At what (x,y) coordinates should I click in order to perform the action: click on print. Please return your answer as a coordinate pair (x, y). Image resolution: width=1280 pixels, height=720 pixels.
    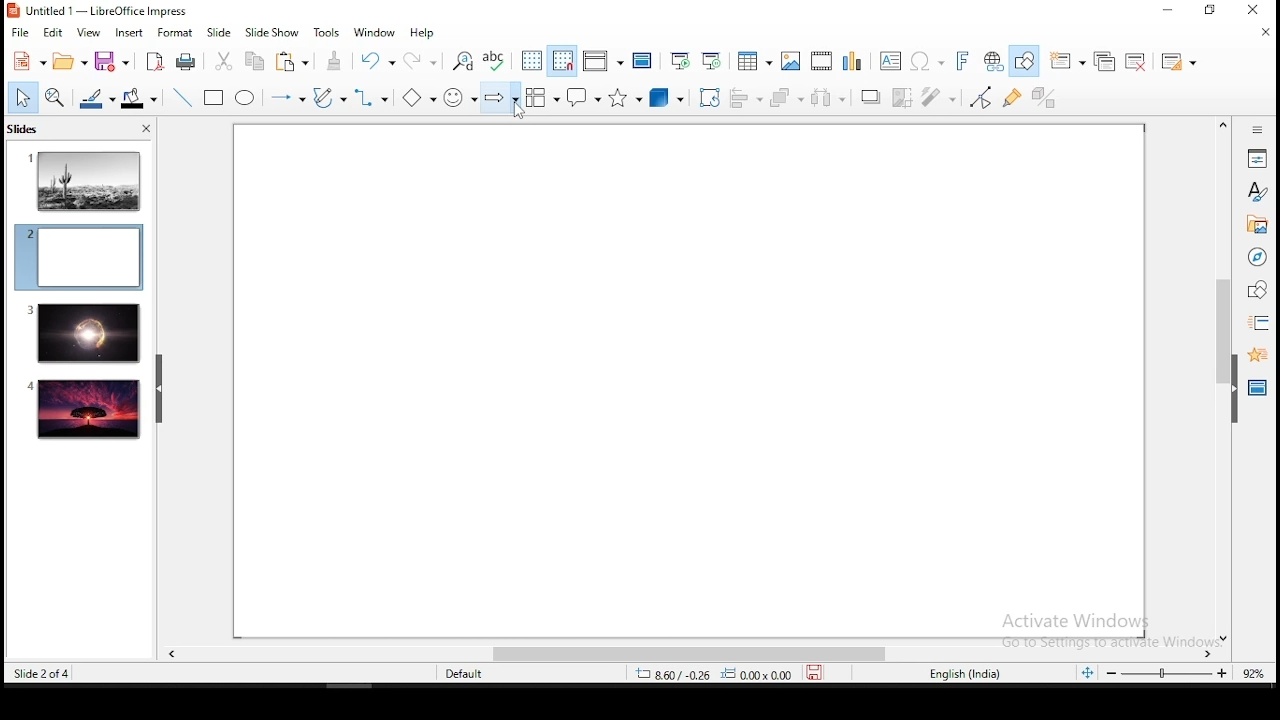
    Looking at the image, I should click on (187, 61).